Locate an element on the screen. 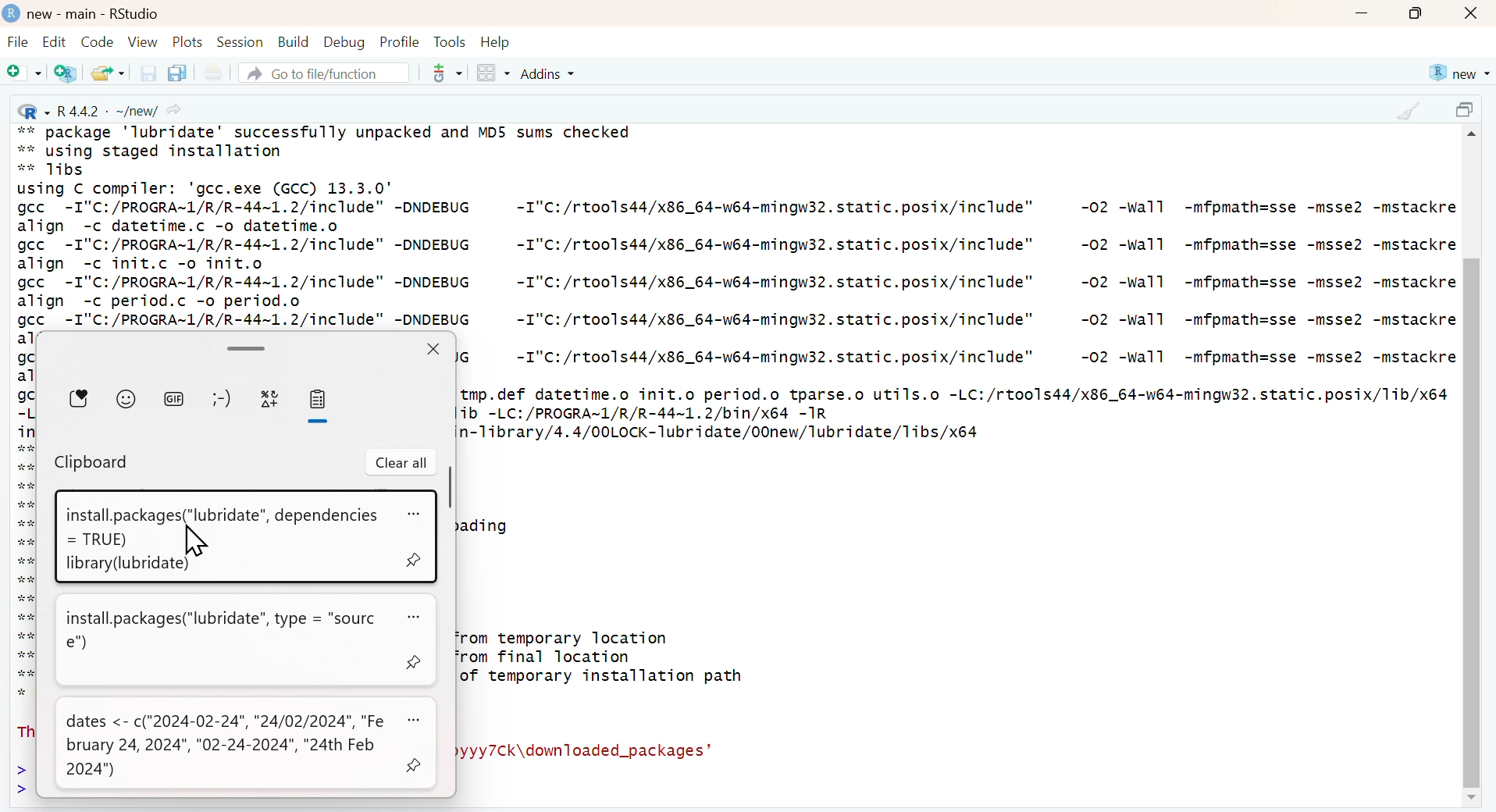 The width and height of the screenshot is (1496, 812). Help is located at coordinates (496, 42).